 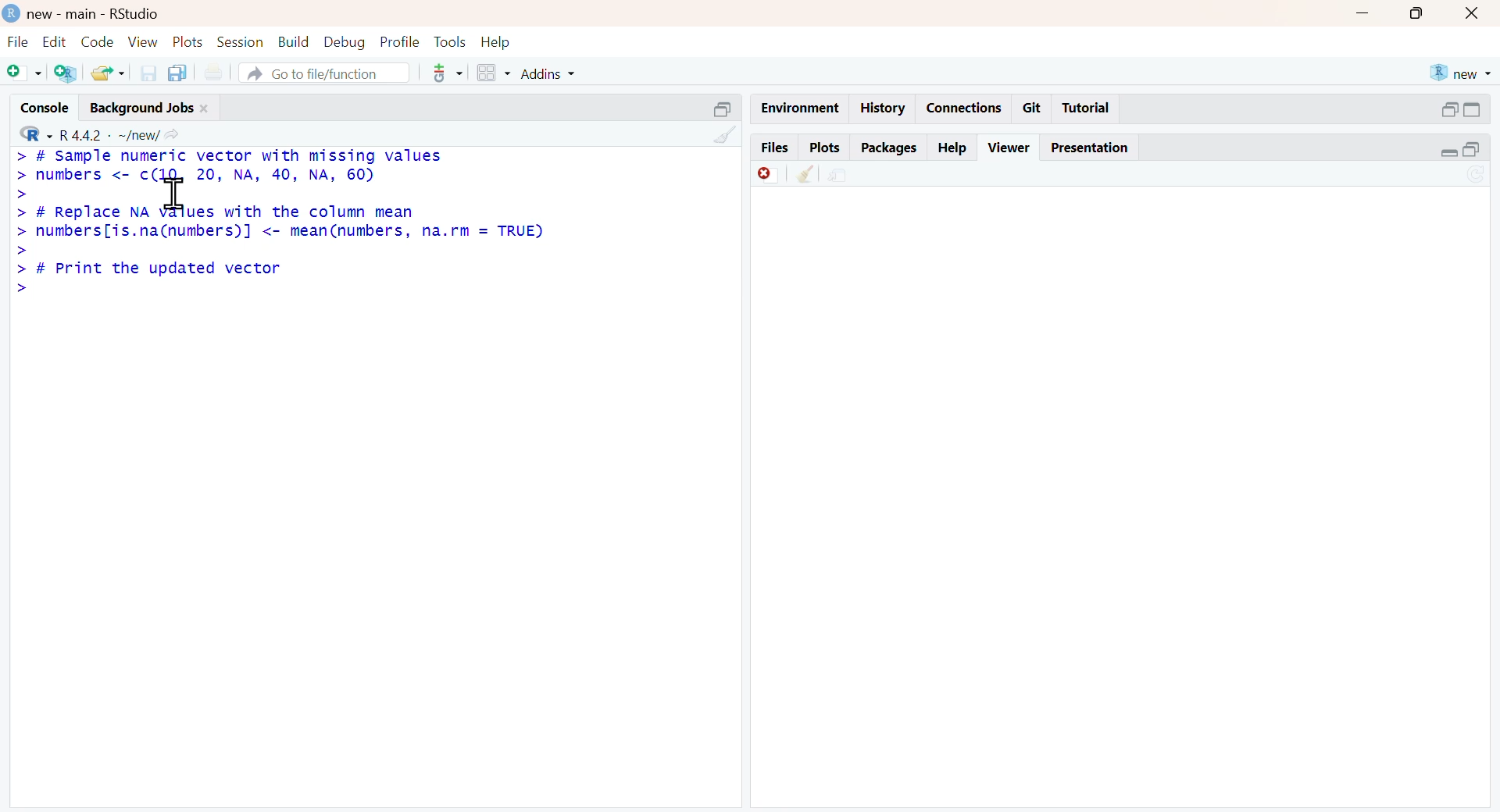 What do you see at coordinates (890, 150) in the screenshot?
I see `packages` at bounding box center [890, 150].